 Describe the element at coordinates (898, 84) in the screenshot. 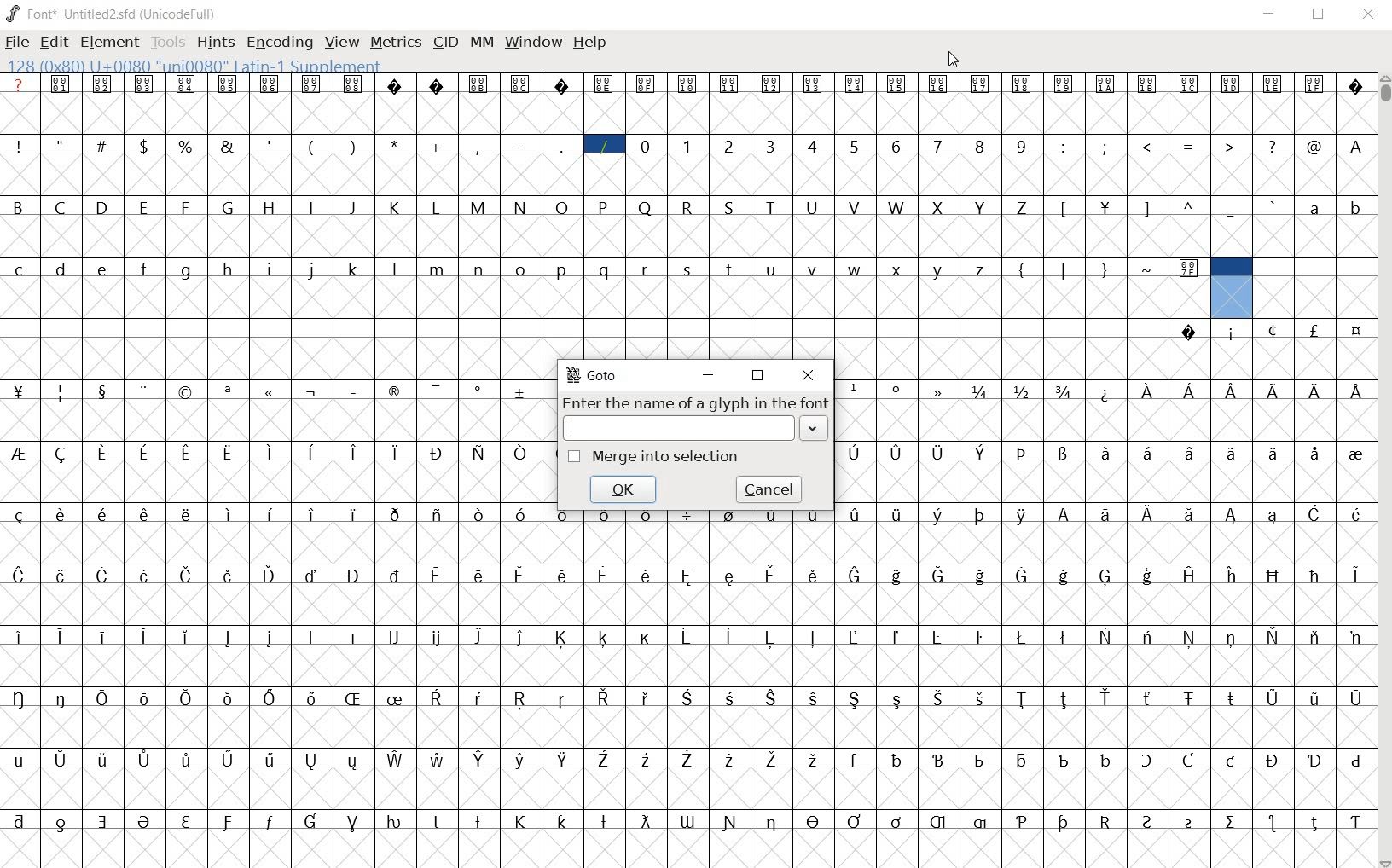

I see `Symbol` at that location.